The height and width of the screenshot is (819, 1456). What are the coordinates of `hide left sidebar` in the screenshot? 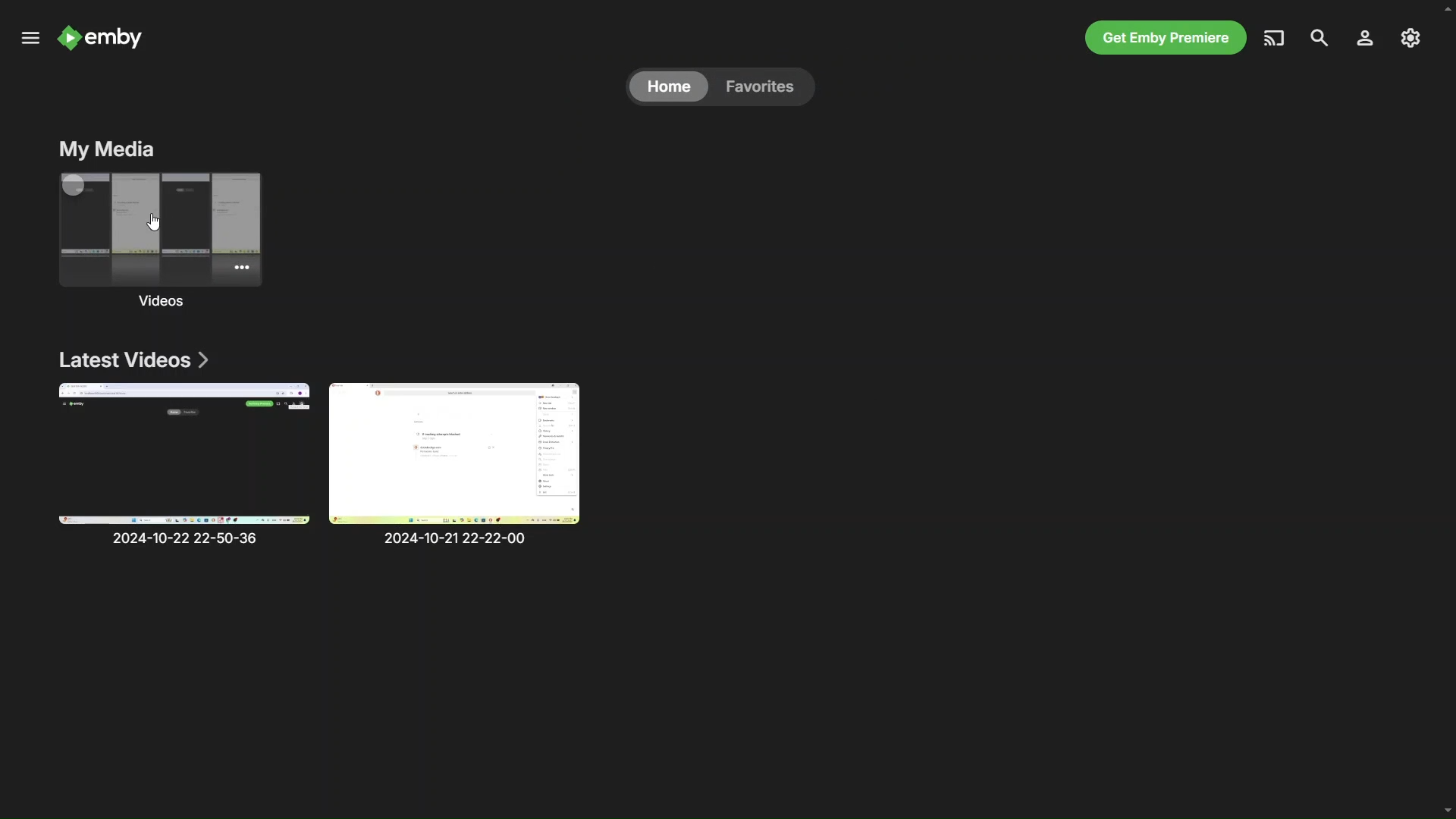 It's located at (29, 38).